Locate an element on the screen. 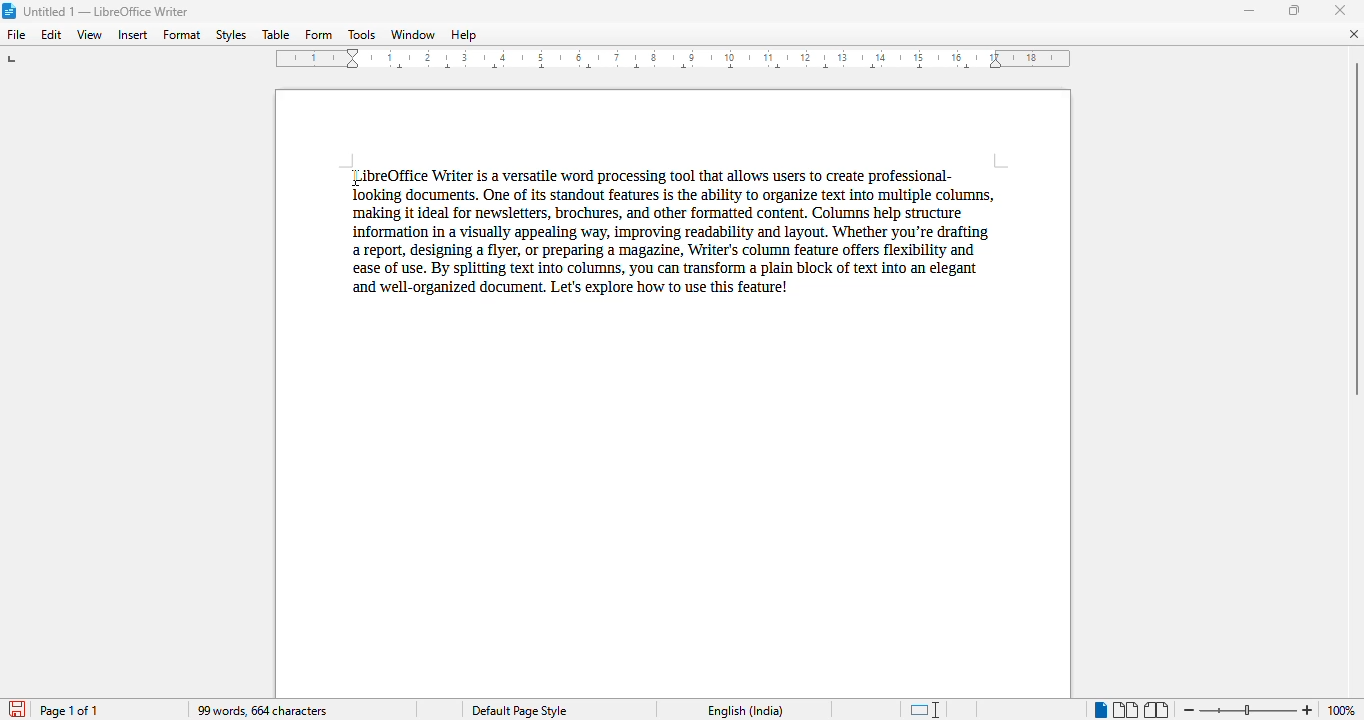  tools is located at coordinates (361, 34).